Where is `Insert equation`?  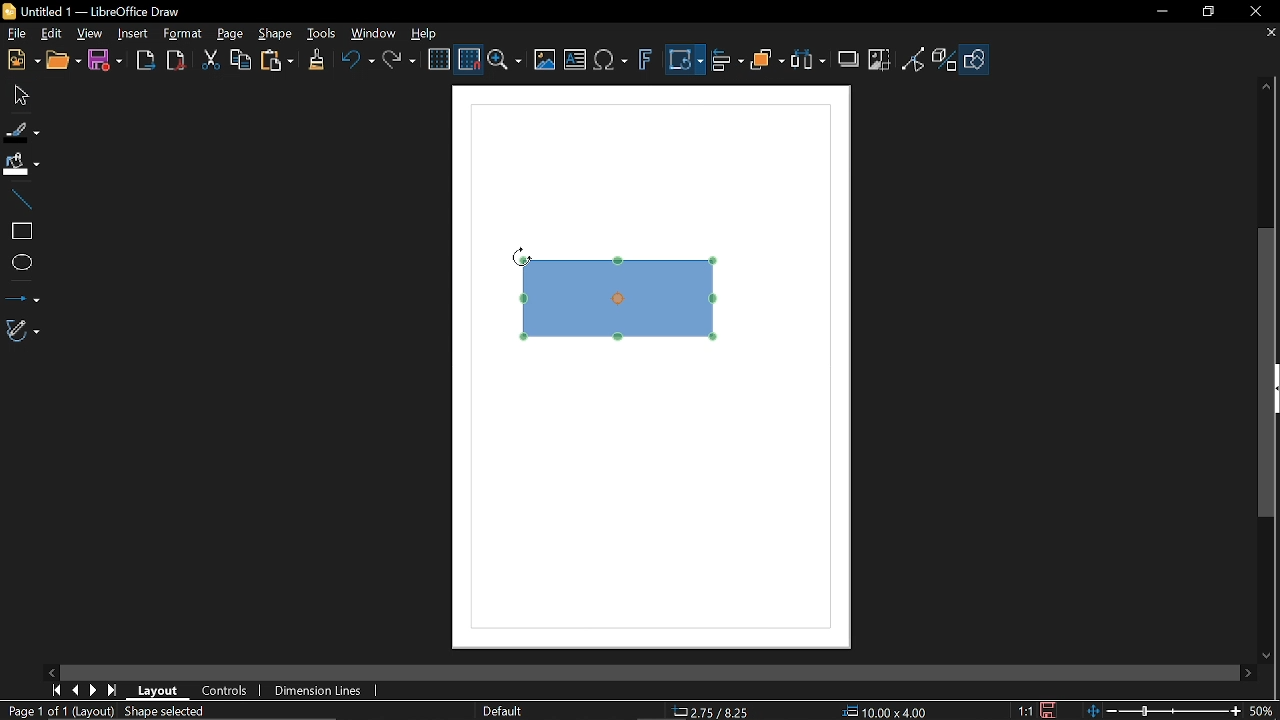 Insert equation is located at coordinates (610, 63).